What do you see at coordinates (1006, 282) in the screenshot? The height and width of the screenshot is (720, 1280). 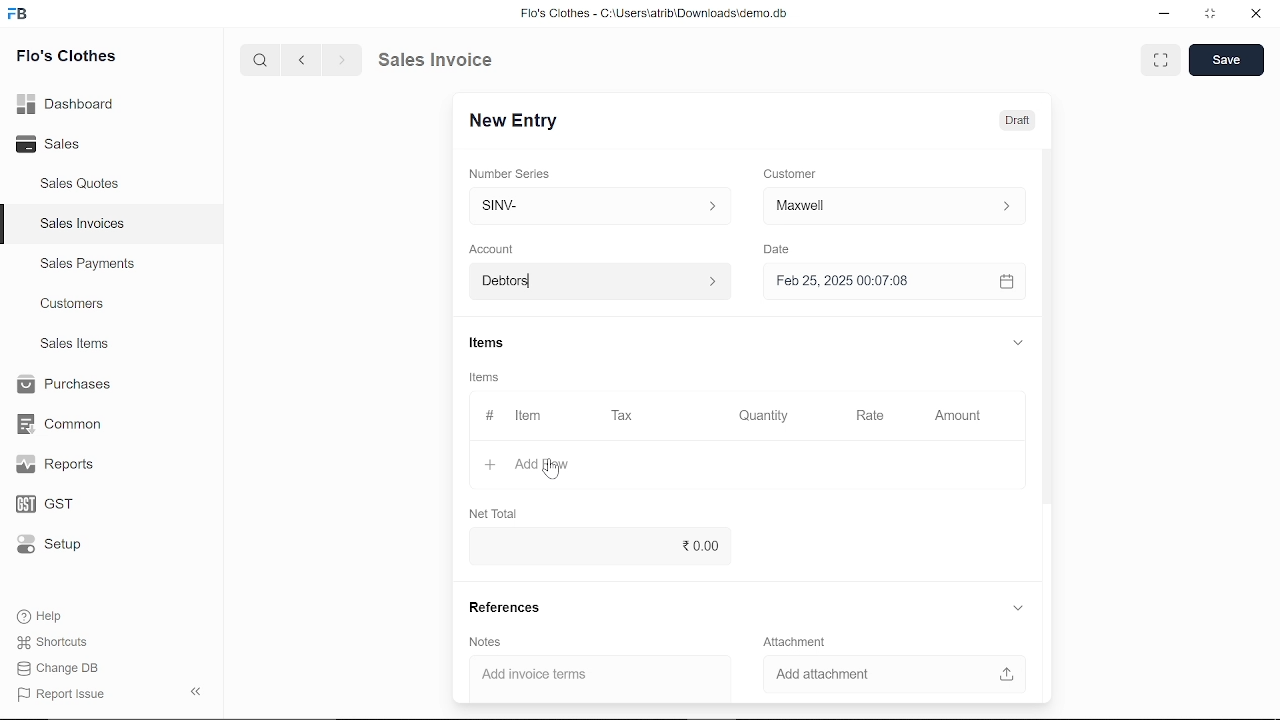 I see `open calender` at bounding box center [1006, 282].